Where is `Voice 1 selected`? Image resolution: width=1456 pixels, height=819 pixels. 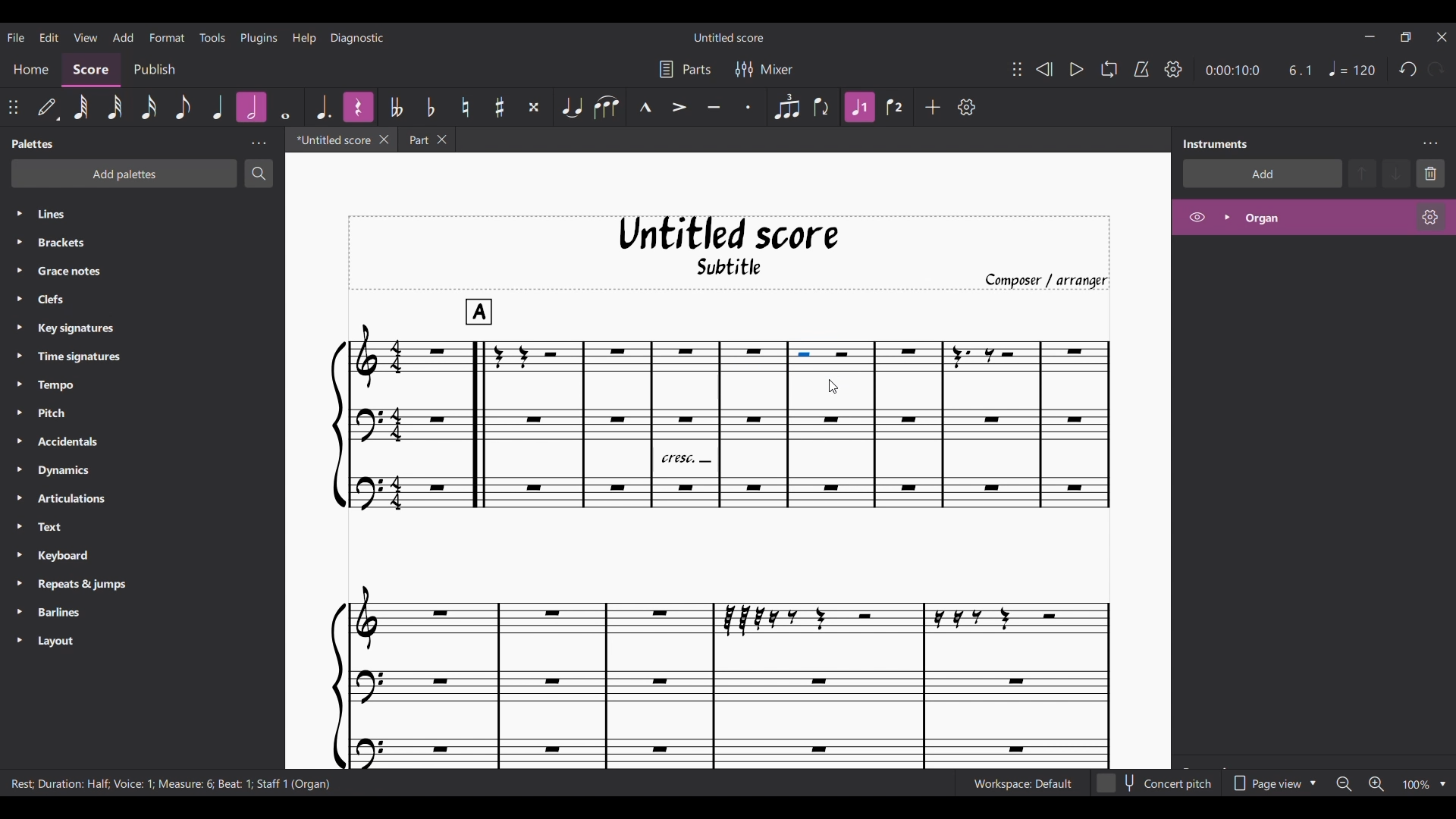 Voice 1 selected is located at coordinates (859, 108).